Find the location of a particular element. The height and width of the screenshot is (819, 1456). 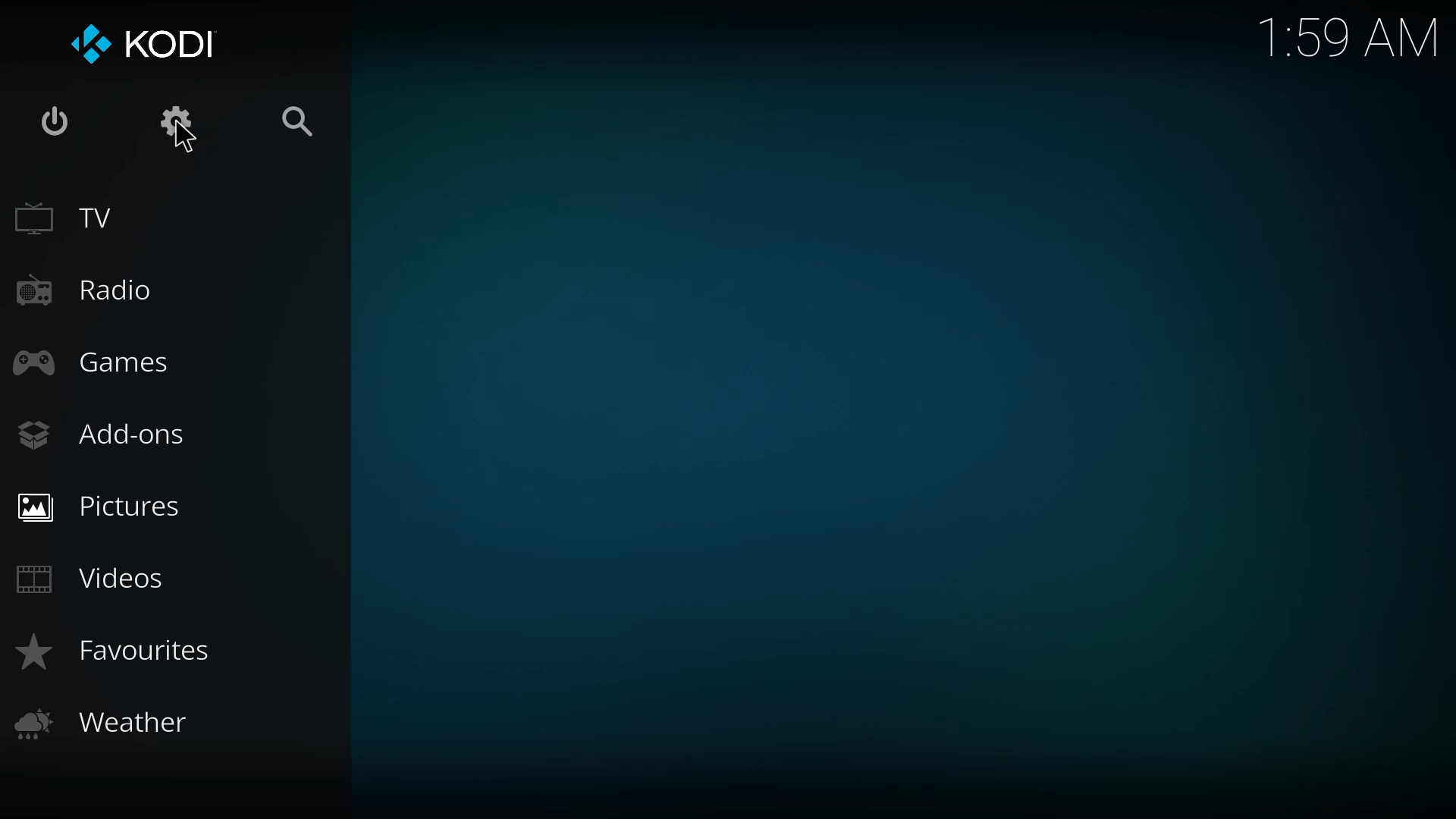

pictures is located at coordinates (110, 505).